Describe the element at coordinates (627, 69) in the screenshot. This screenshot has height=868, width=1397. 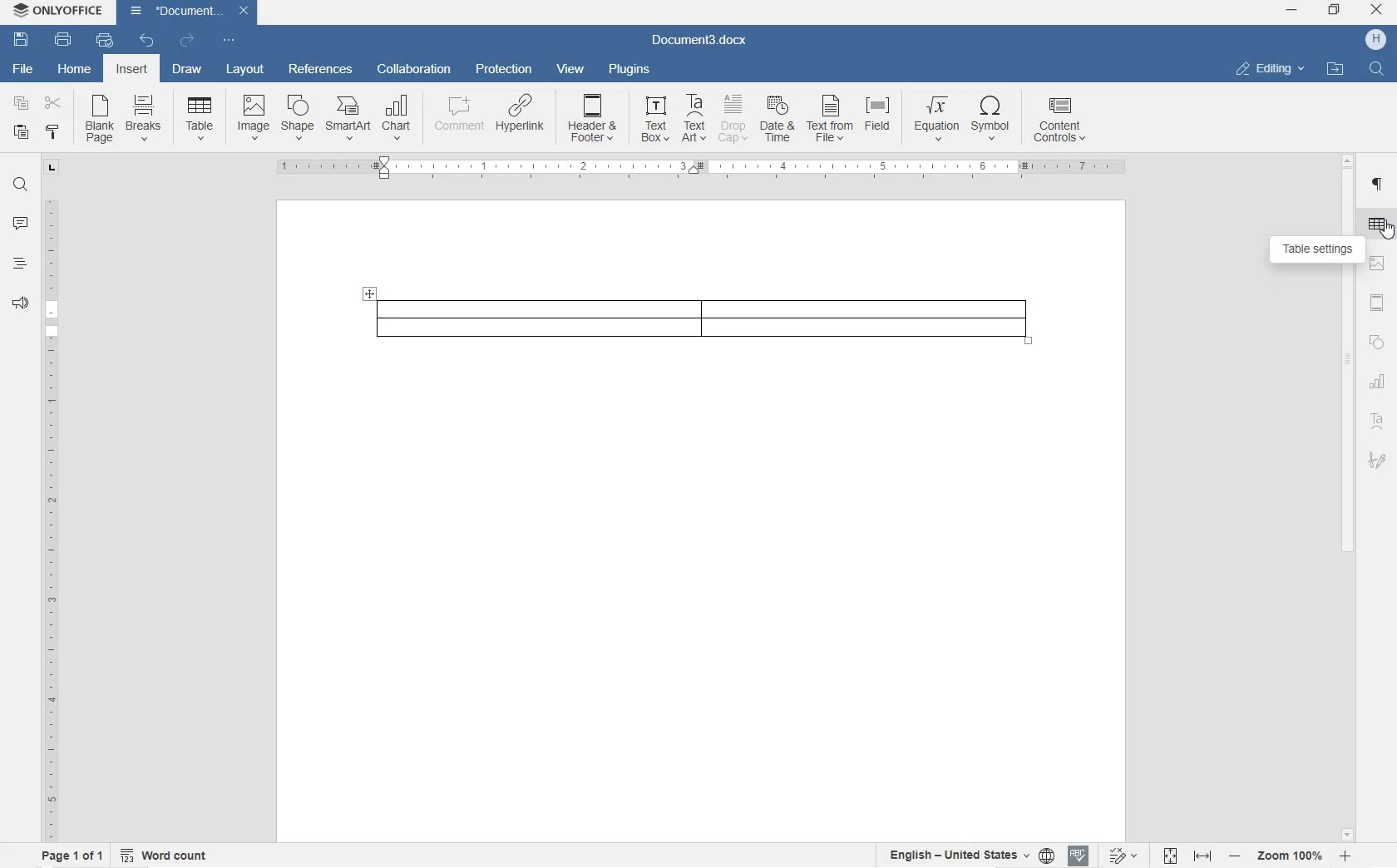
I see `PLUGINS` at that location.